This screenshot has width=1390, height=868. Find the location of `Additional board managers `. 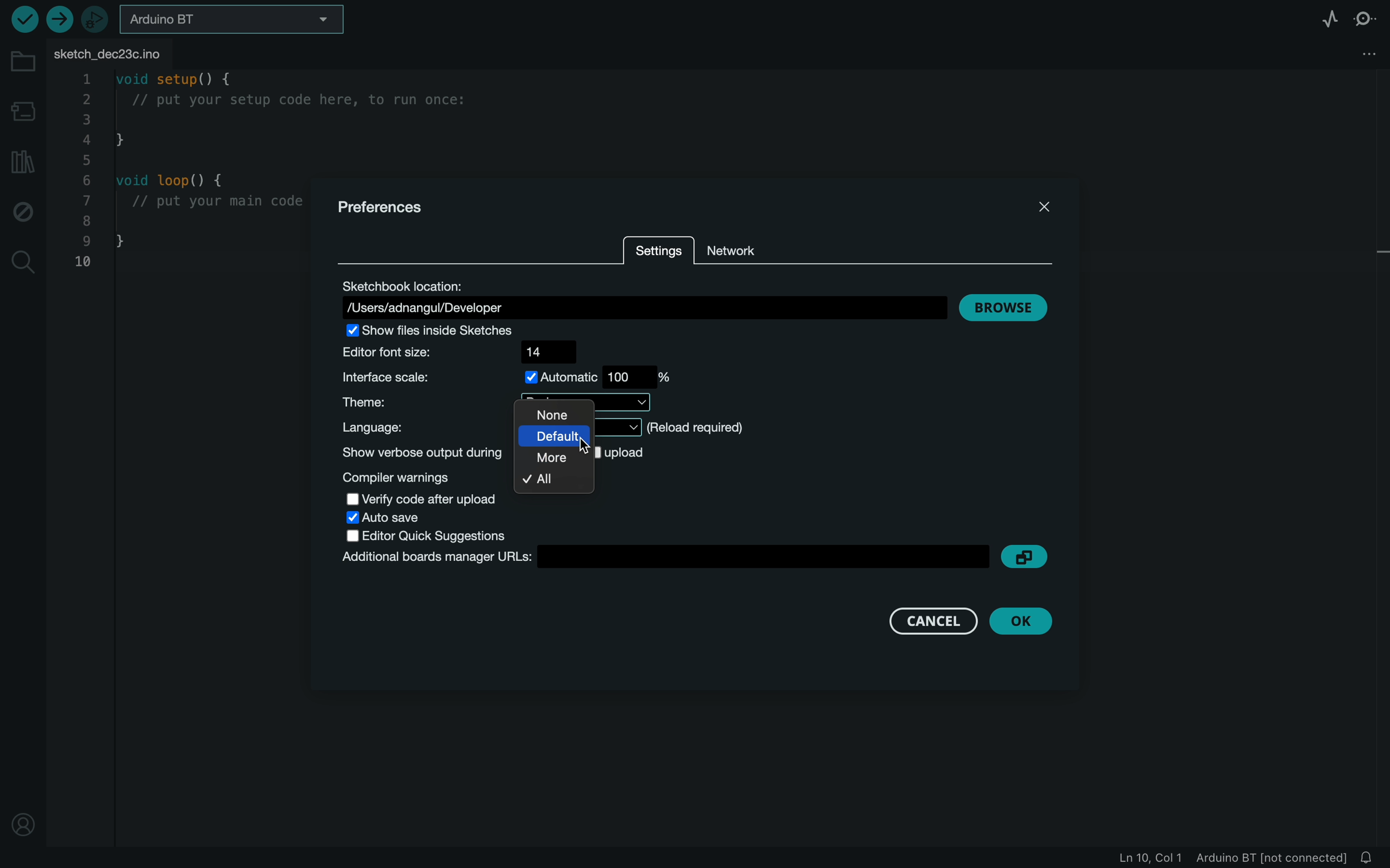

Additional board managers  is located at coordinates (694, 558).